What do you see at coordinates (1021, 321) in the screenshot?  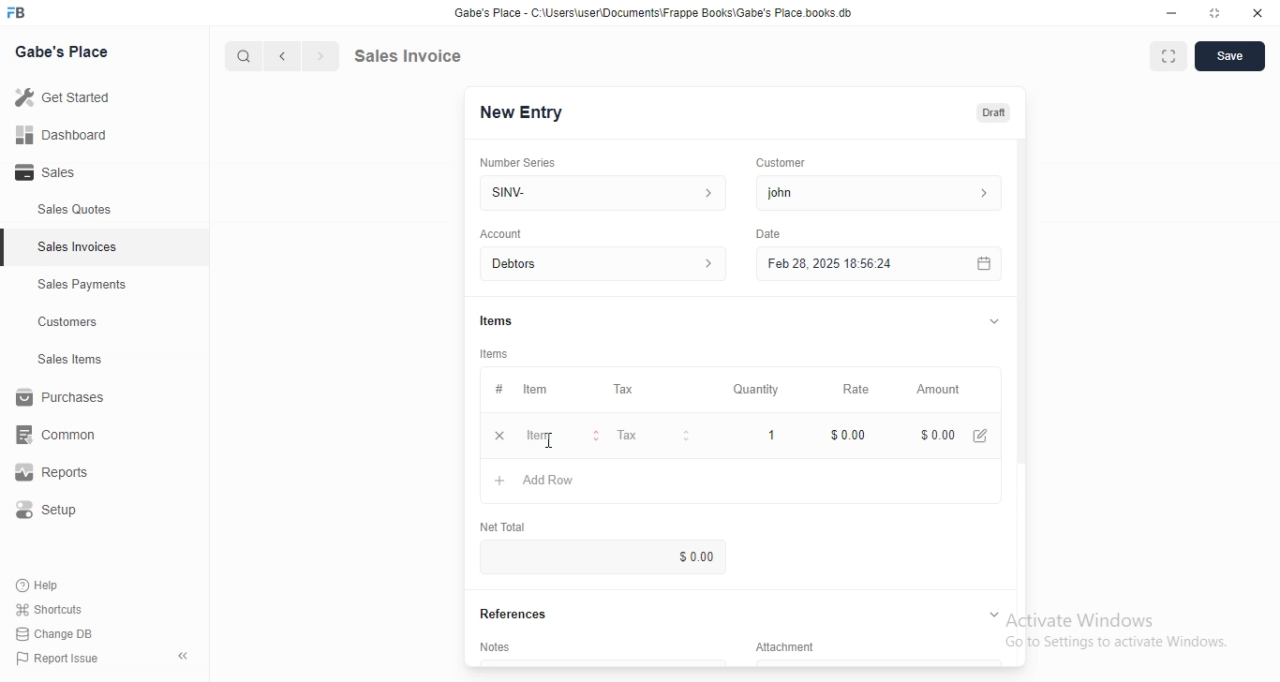 I see `scroll bar` at bounding box center [1021, 321].